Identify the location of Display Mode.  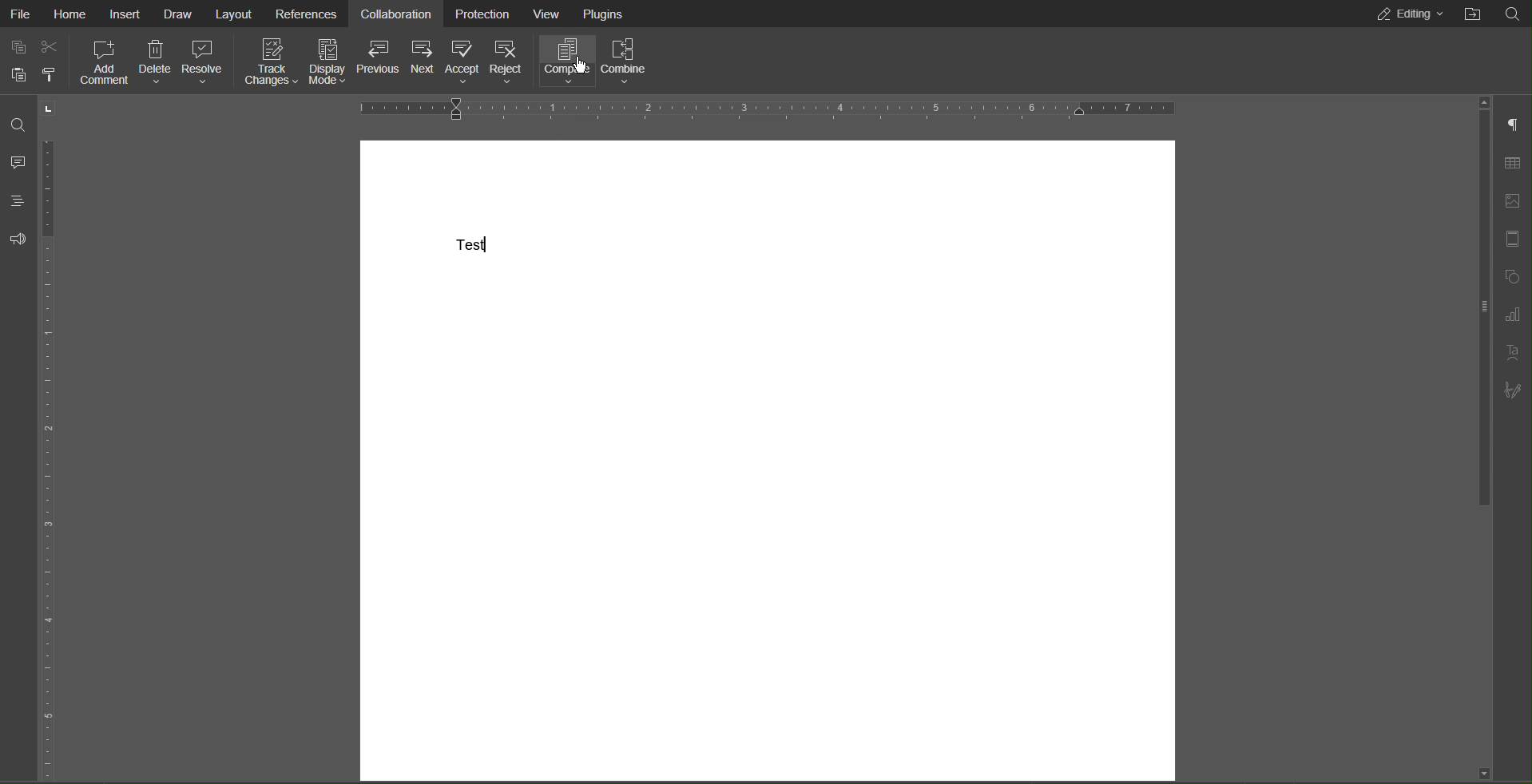
(329, 64).